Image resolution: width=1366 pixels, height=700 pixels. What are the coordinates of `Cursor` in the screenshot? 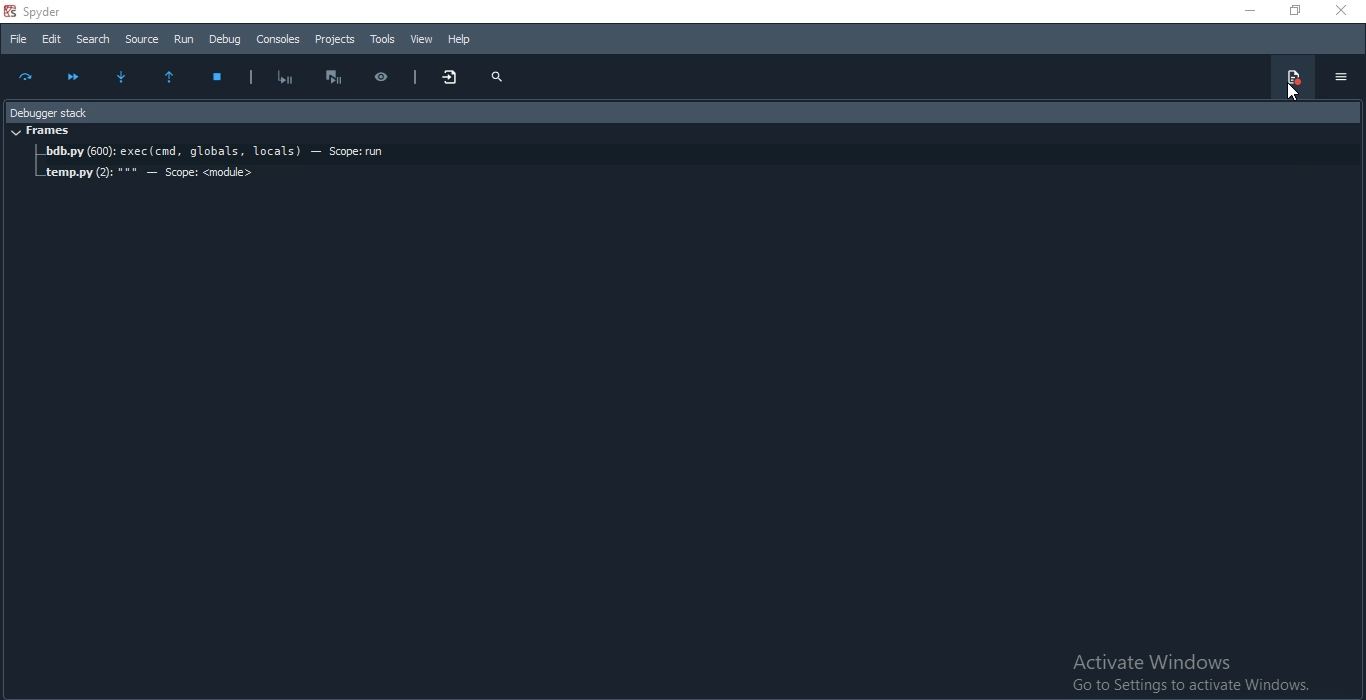 It's located at (1290, 92).